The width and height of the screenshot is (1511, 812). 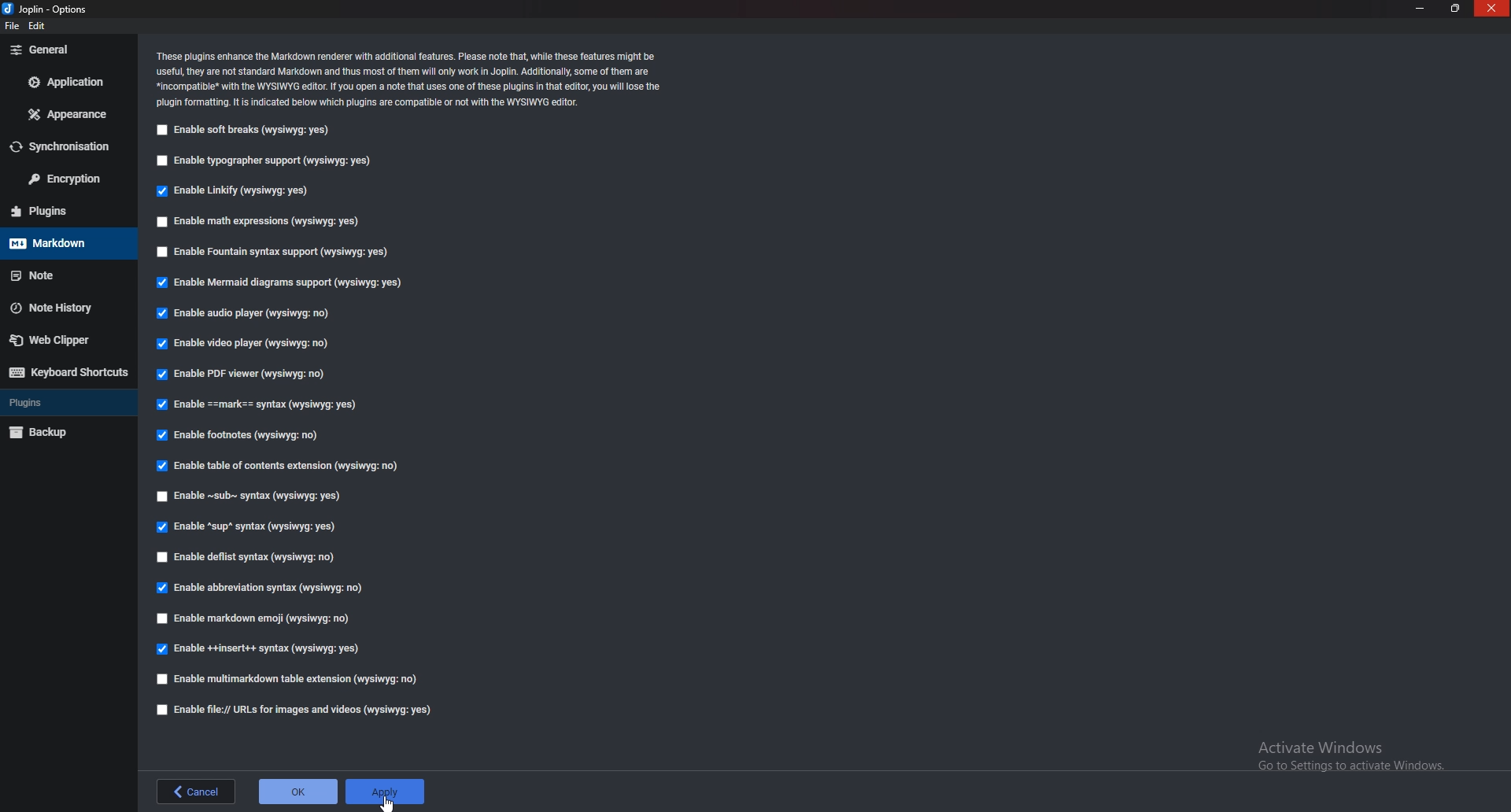 What do you see at coordinates (68, 146) in the screenshot?
I see `Synchronization` at bounding box center [68, 146].